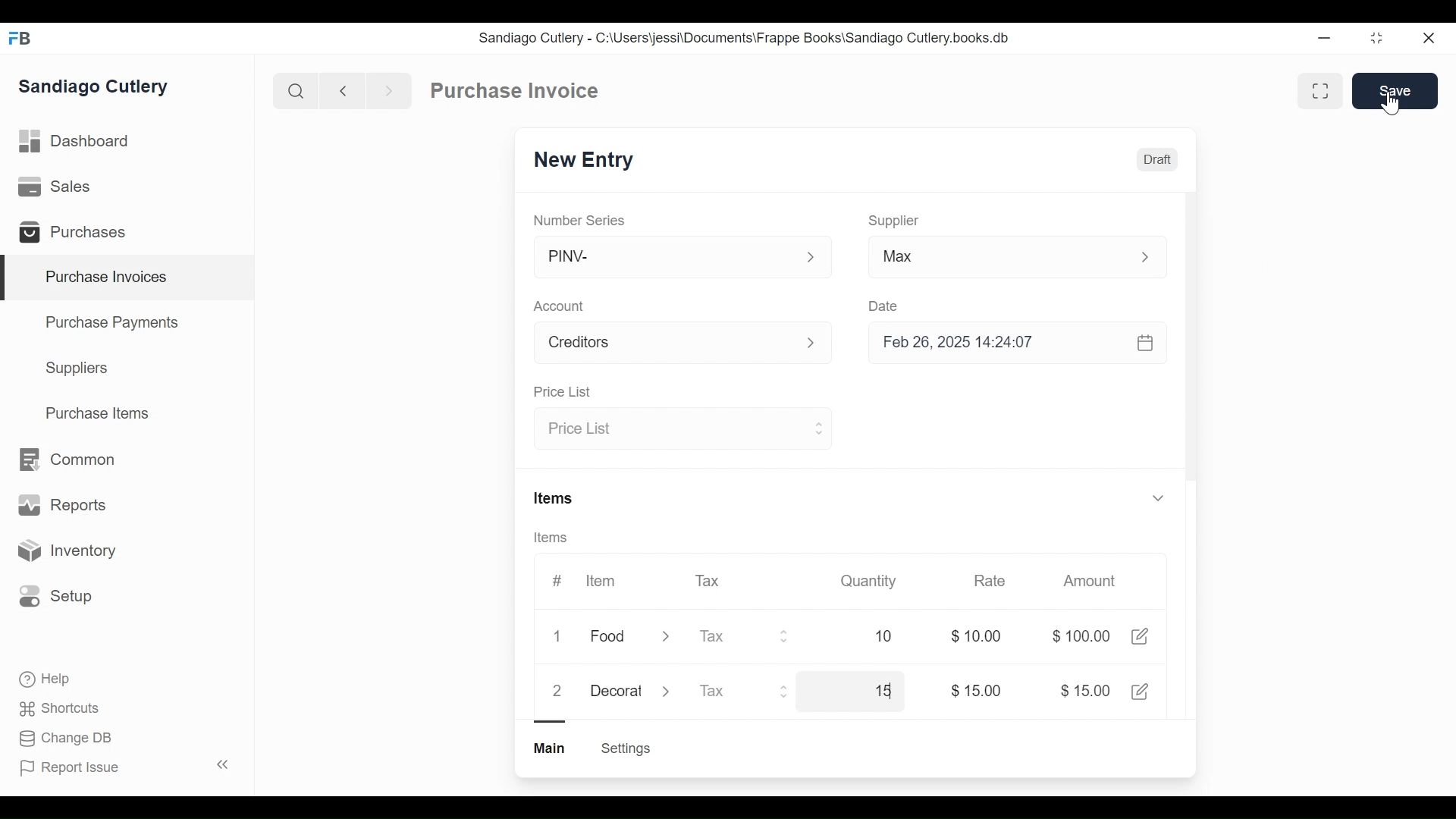  I want to click on #, so click(557, 580).